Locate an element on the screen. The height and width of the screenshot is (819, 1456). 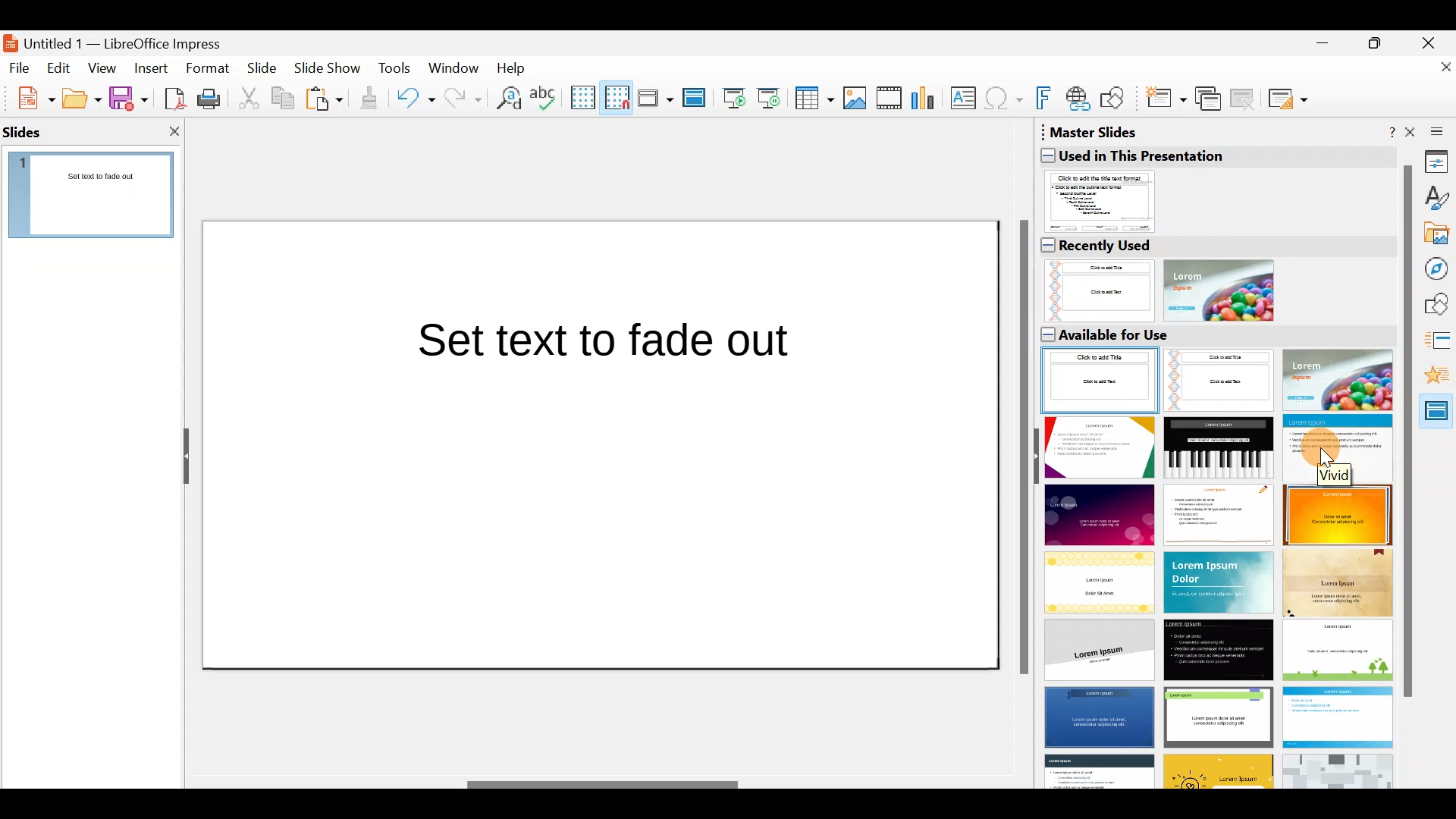
Insert hyperlink is located at coordinates (1079, 98).